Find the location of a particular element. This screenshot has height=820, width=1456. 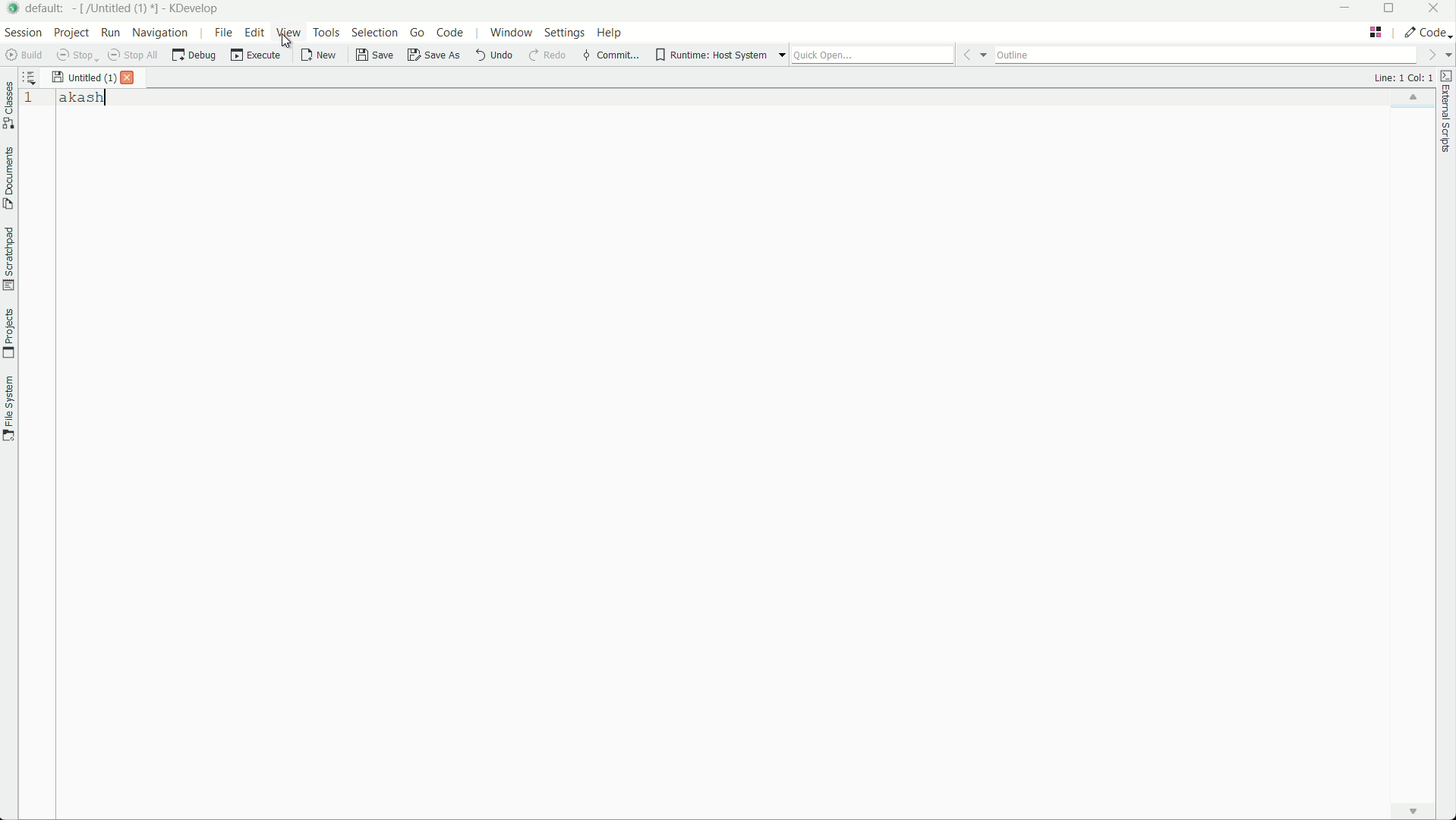

help is located at coordinates (608, 33).